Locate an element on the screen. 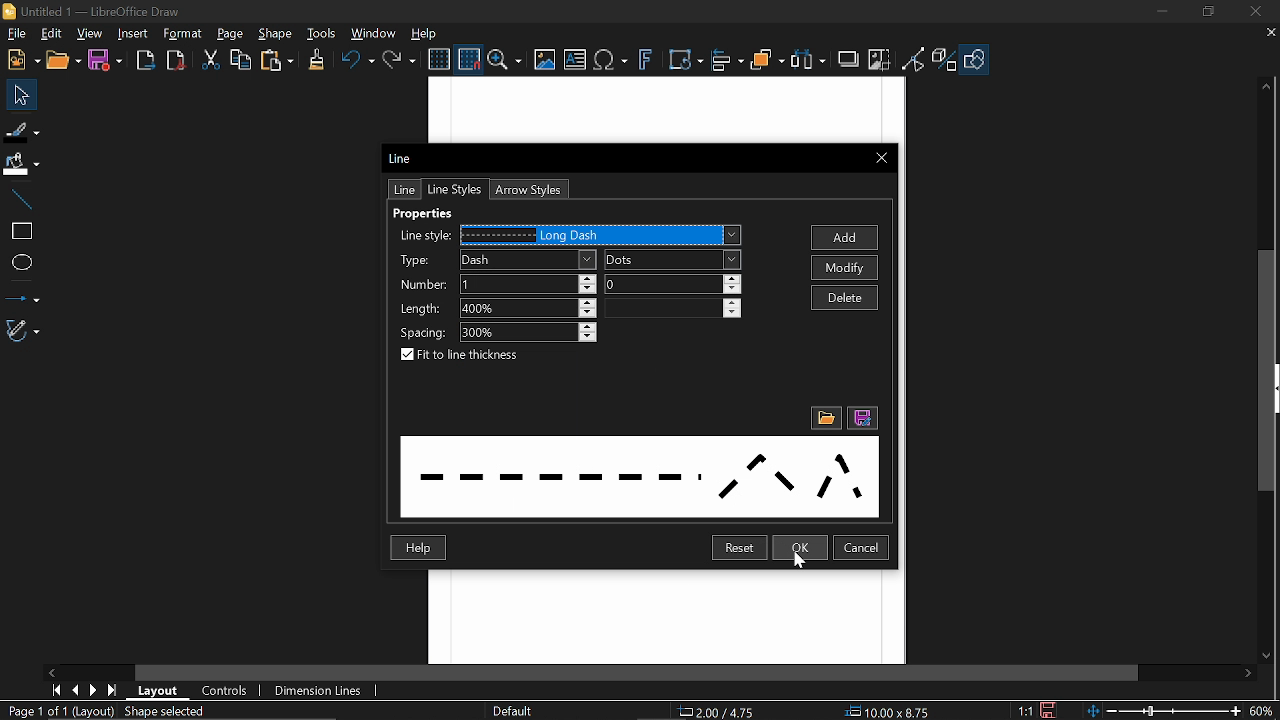  Help is located at coordinates (416, 548).